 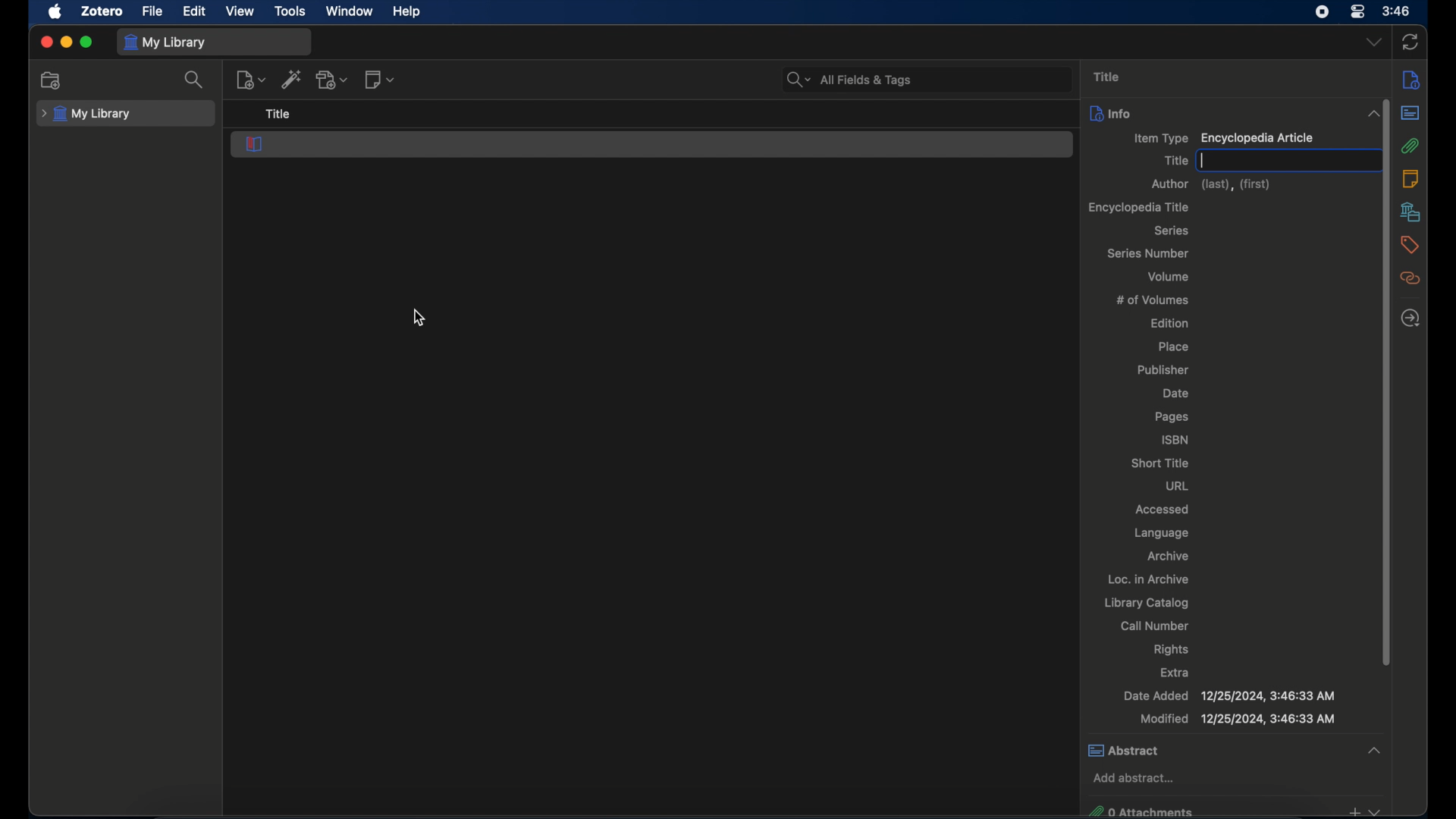 I want to click on series number, so click(x=1150, y=253).